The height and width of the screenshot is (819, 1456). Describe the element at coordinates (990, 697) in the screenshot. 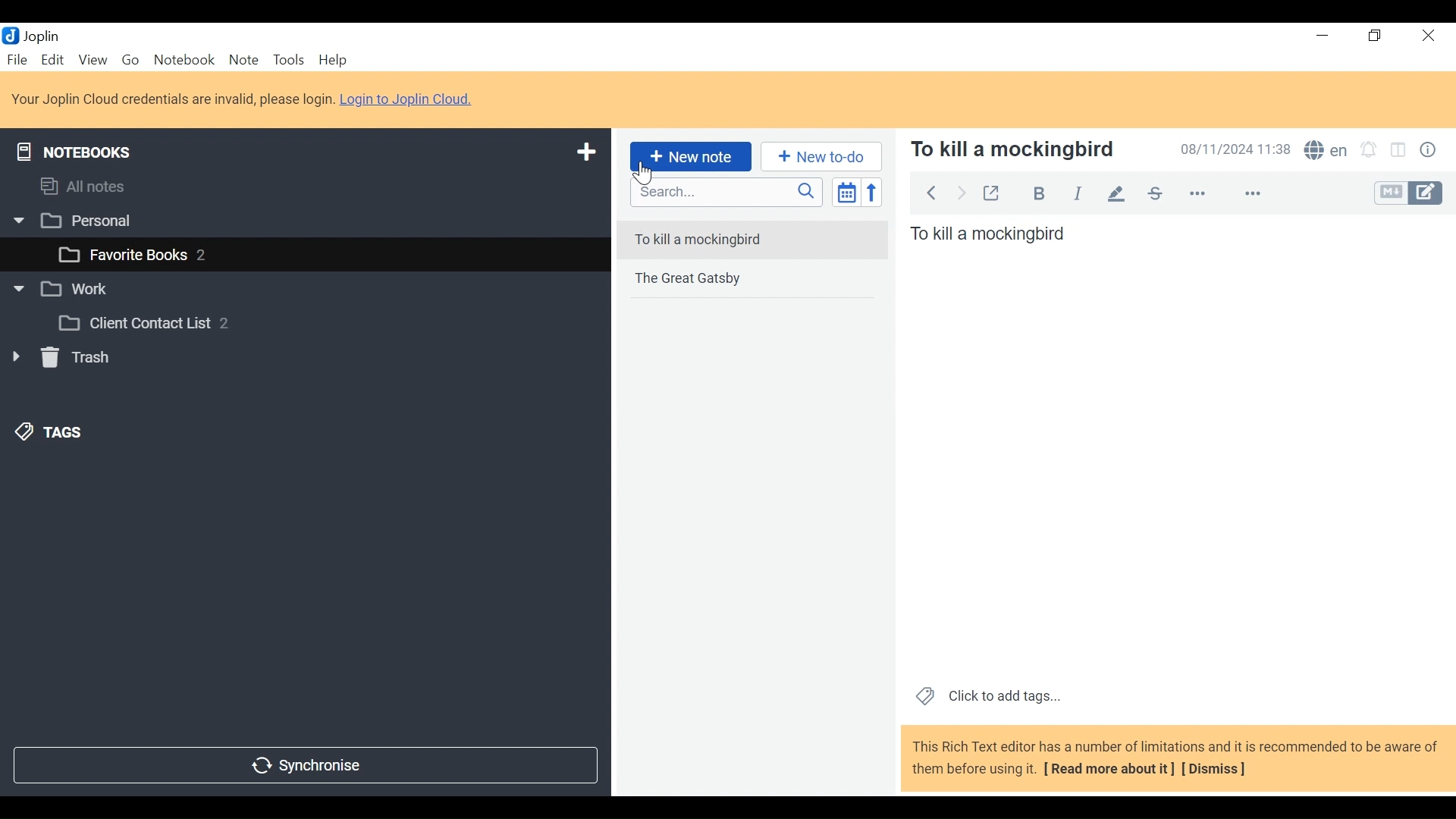

I see `Click to add tags` at that location.